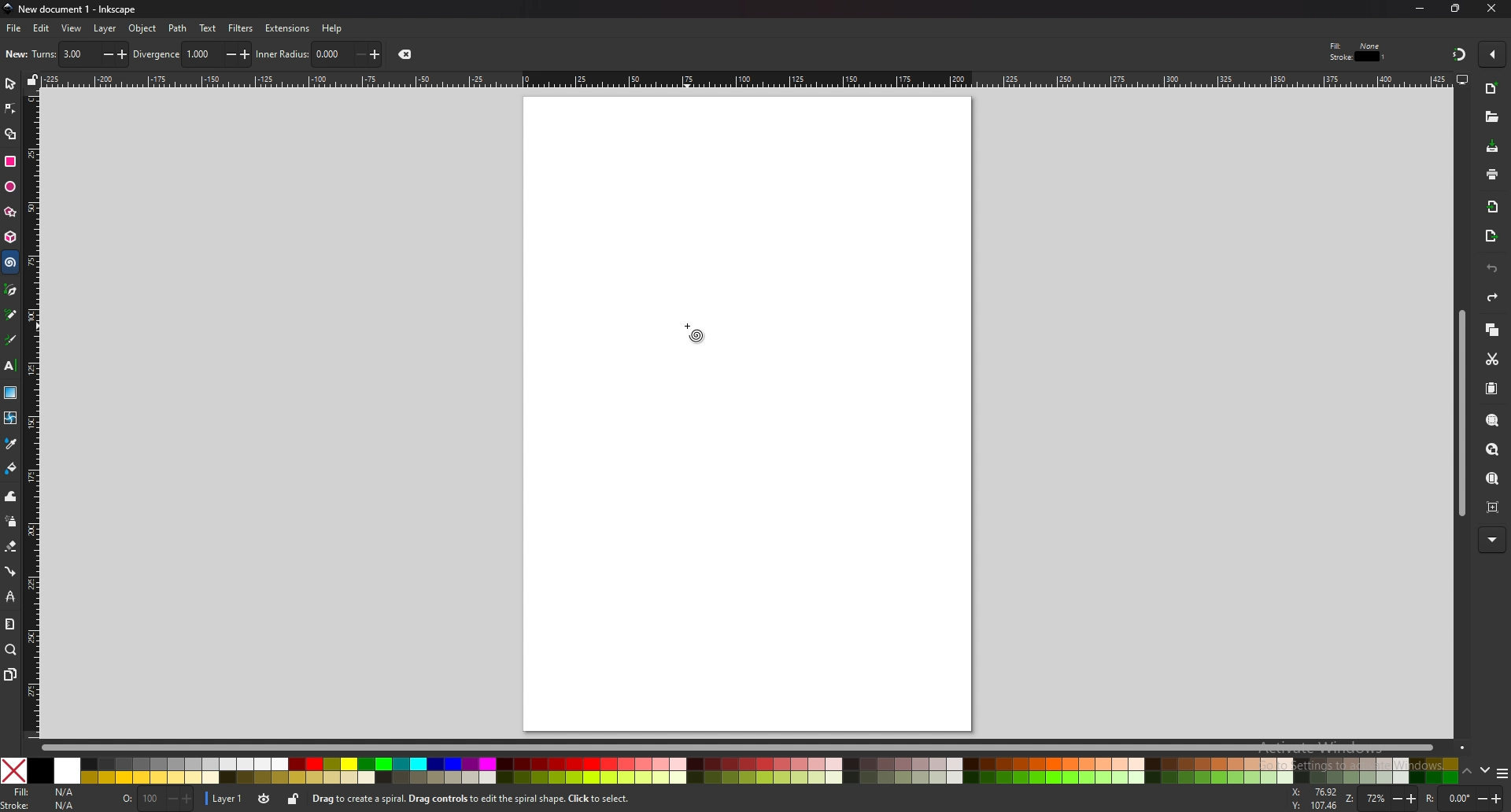 The width and height of the screenshot is (1511, 812). What do you see at coordinates (1459, 416) in the screenshot?
I see `scroll bar` at bounding box center [1459, 416].